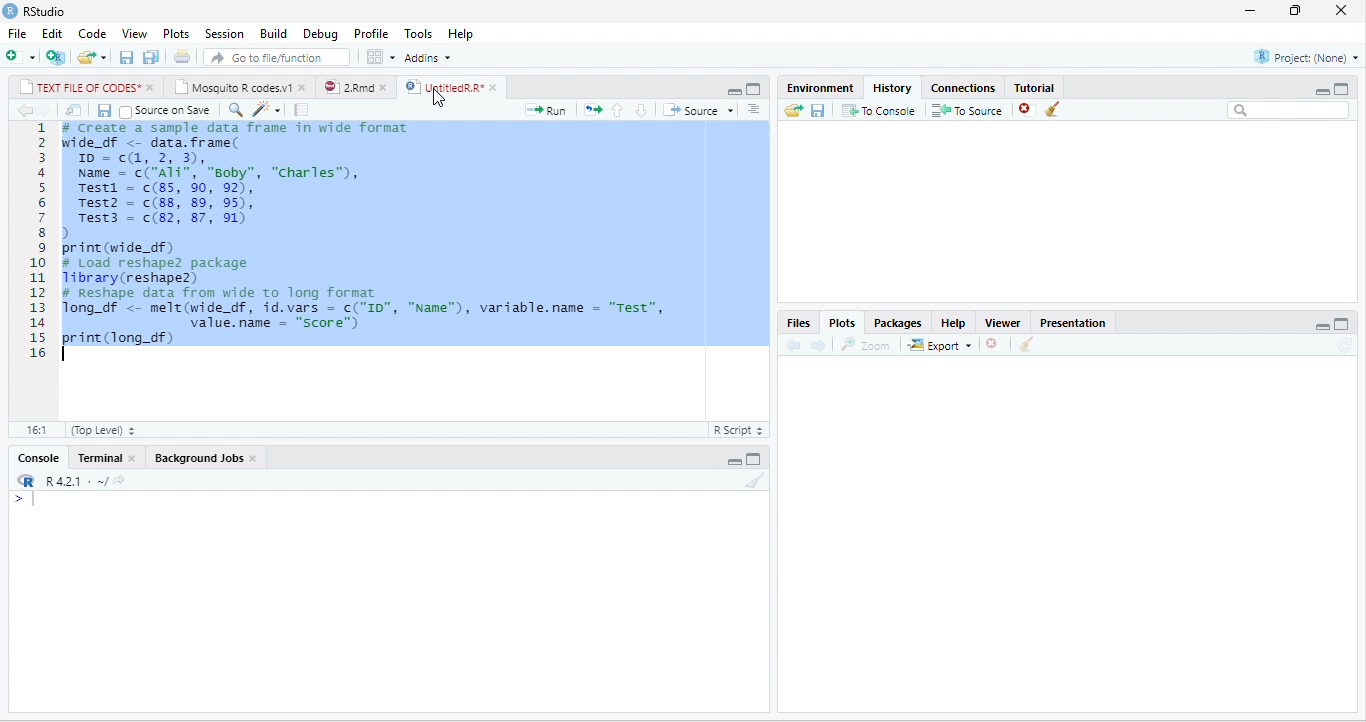  What do you see at coordinates (1027, 109) in the screenshot?
I see `close file` at bounding box center [1027, 109].